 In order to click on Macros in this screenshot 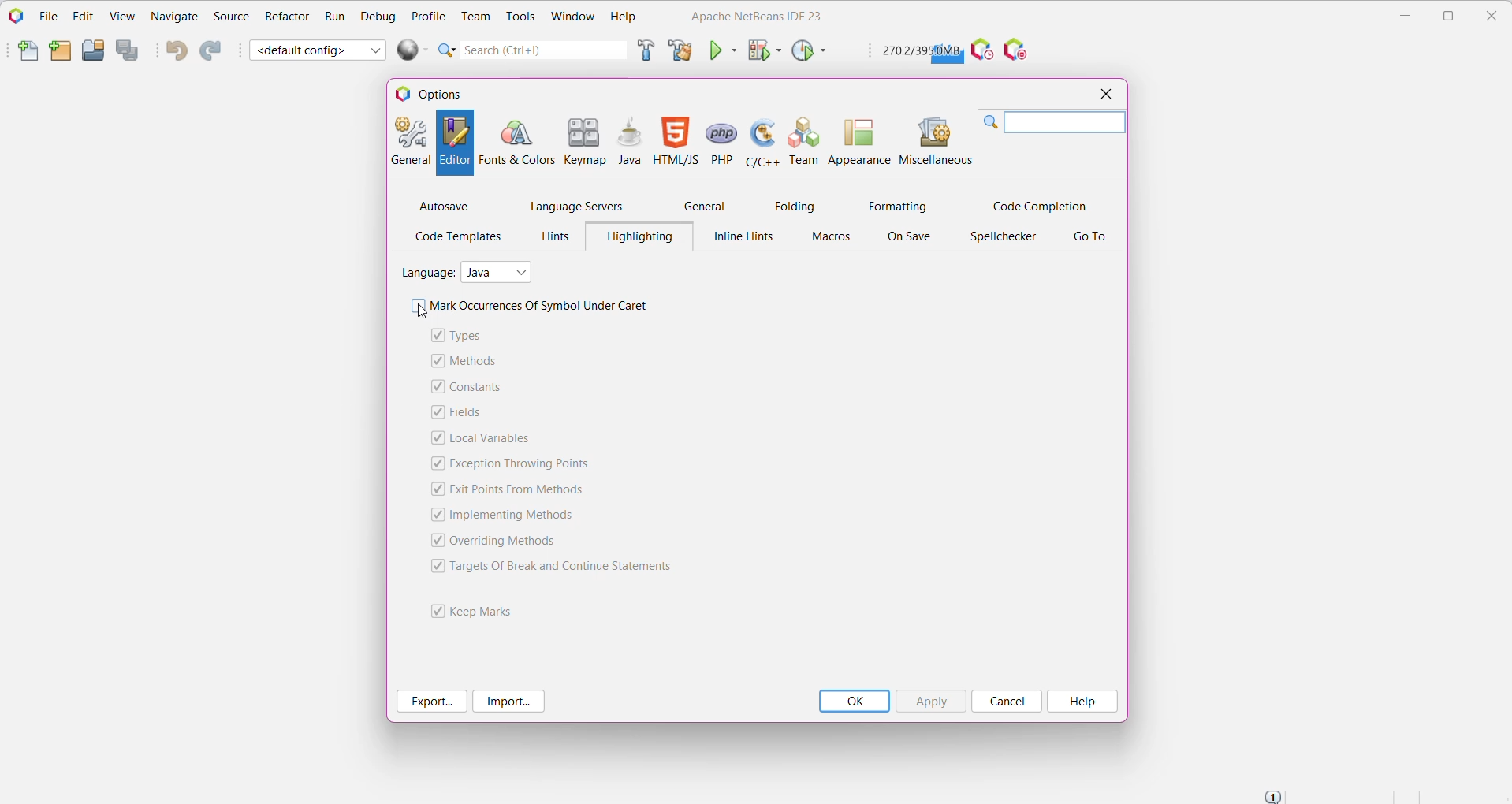, I will do `click(832, 238)`.